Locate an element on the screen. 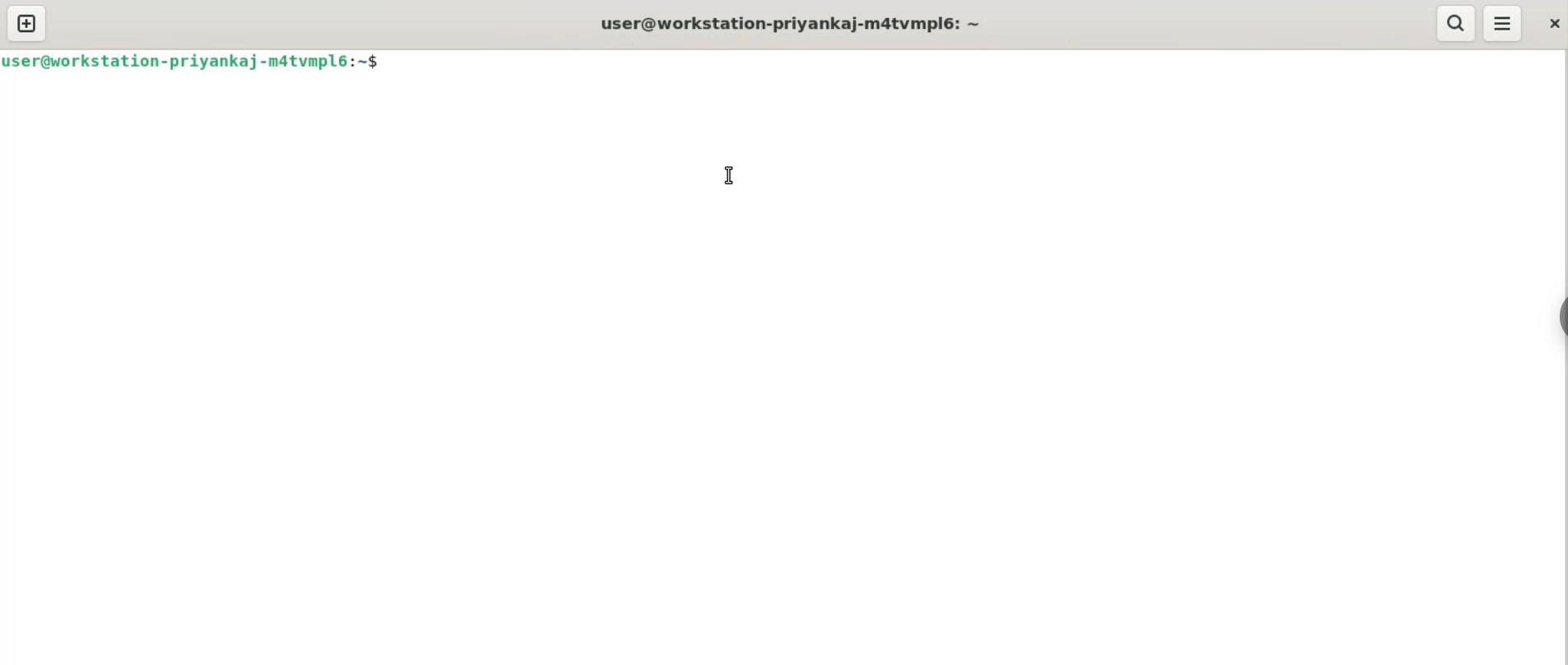  user@workstation-priyankaj-m4tvmpl6: ~ is located at coordinates (791, 23).